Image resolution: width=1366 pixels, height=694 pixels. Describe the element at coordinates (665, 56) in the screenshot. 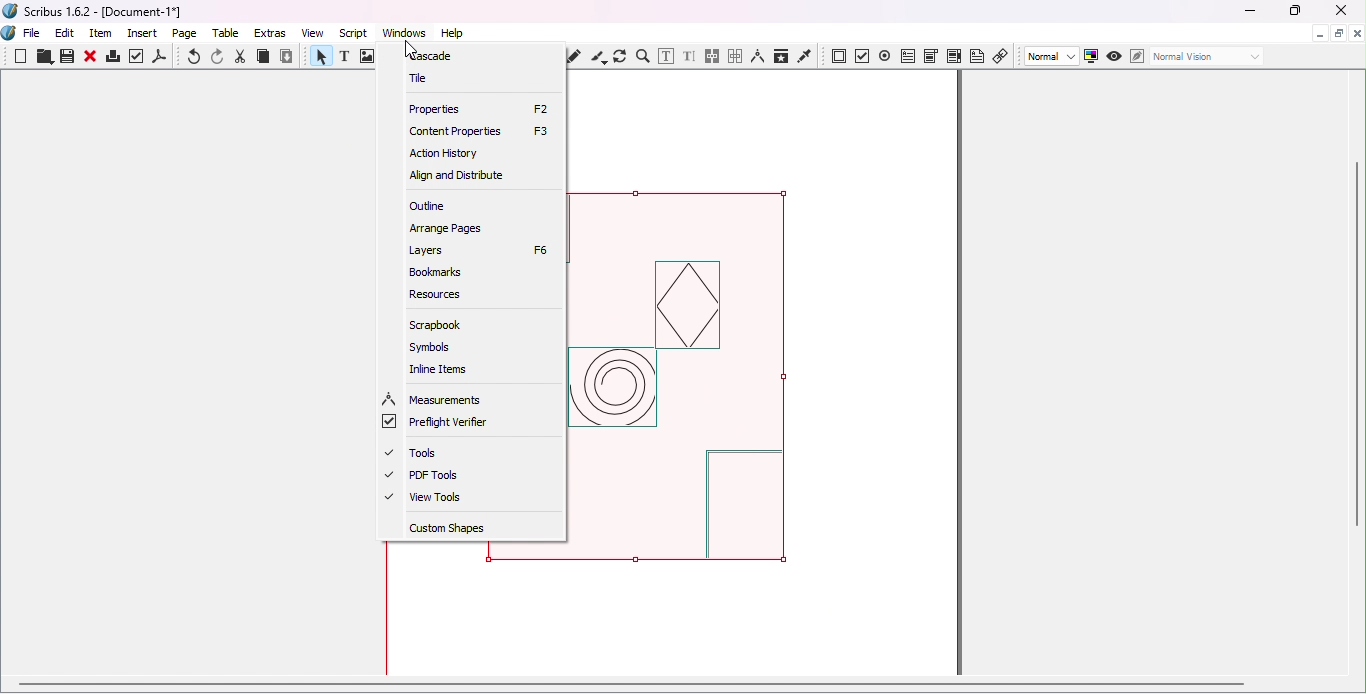

I see `Edit contents of frame` at that location.